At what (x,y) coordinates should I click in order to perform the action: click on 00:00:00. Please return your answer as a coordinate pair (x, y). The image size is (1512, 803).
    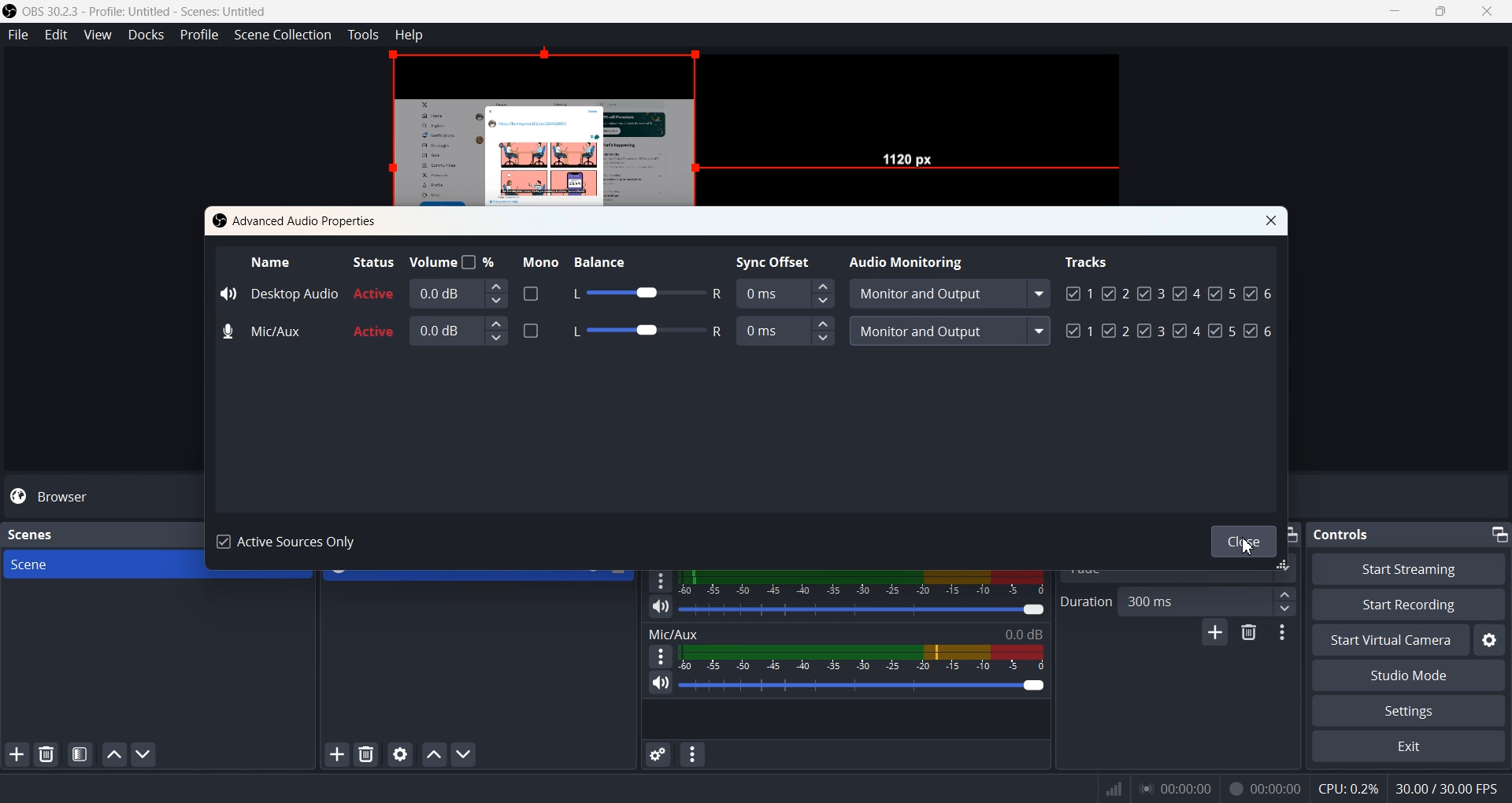
    Looking at the image, I should click on (1176, 787).